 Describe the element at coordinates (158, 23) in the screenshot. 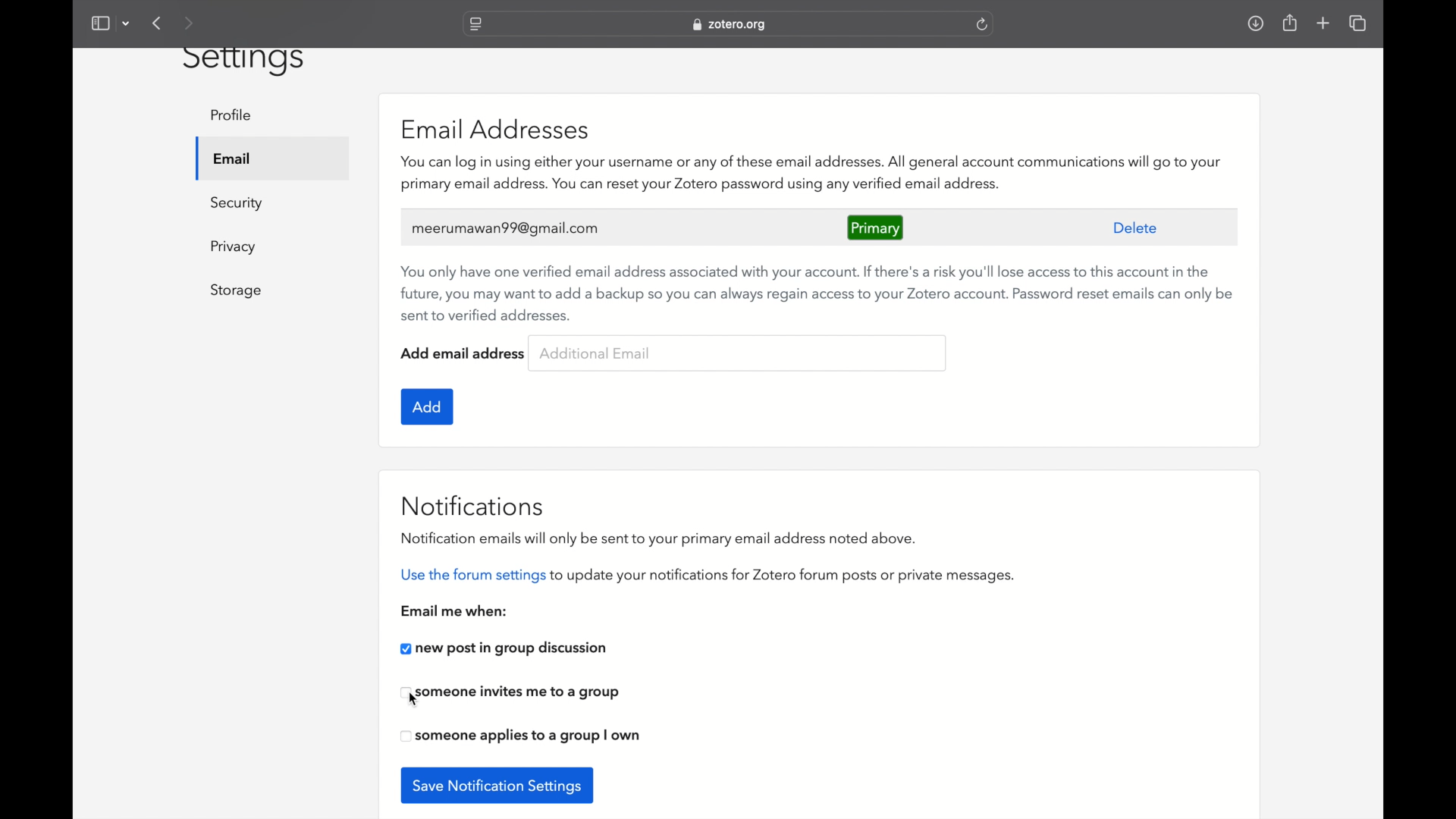

I see `previous` at that location.